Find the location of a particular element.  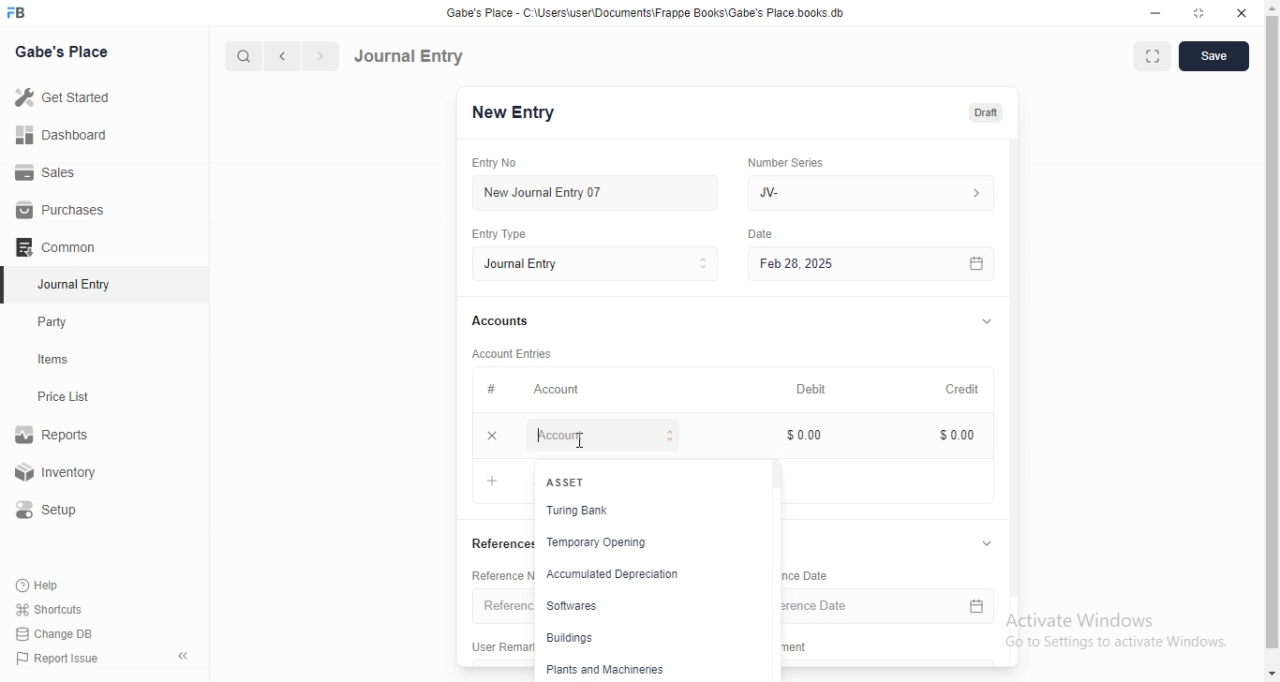

Reference is located at coordinates (510, 606).